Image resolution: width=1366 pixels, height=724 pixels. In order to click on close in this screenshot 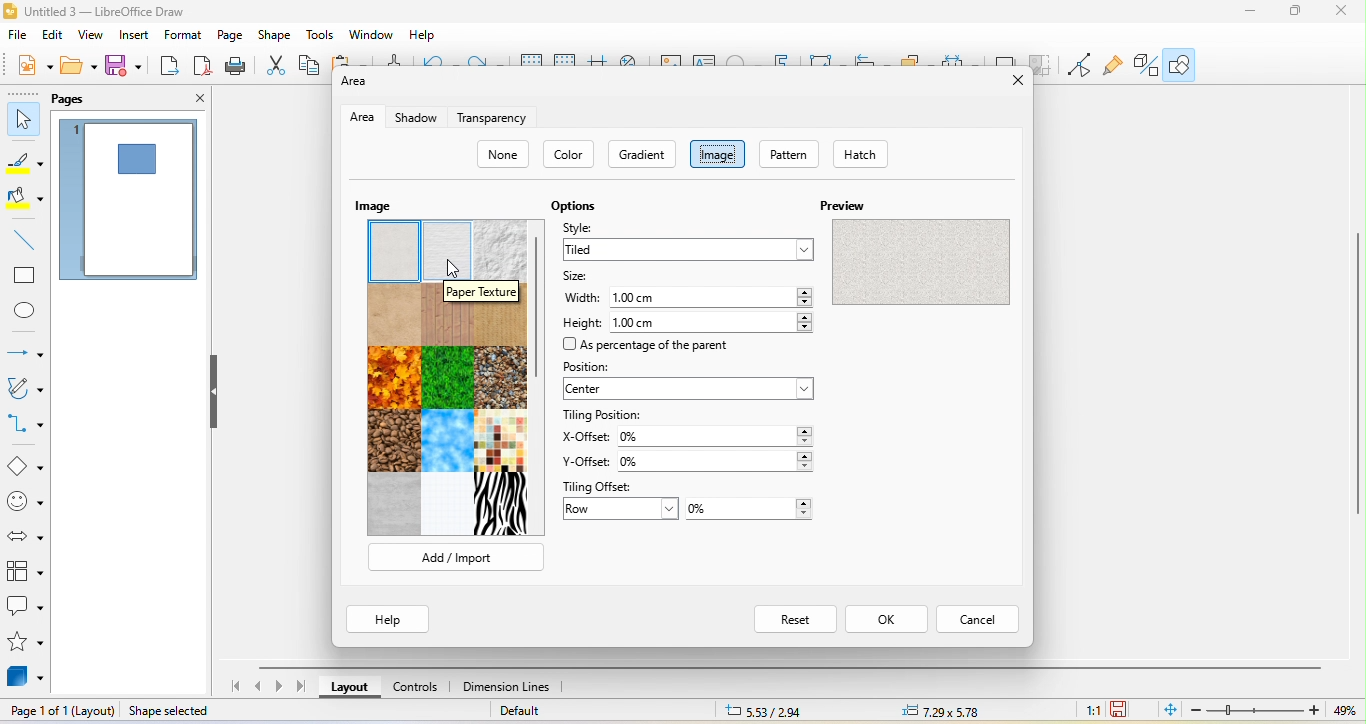, I will do `click(188, 99)`.